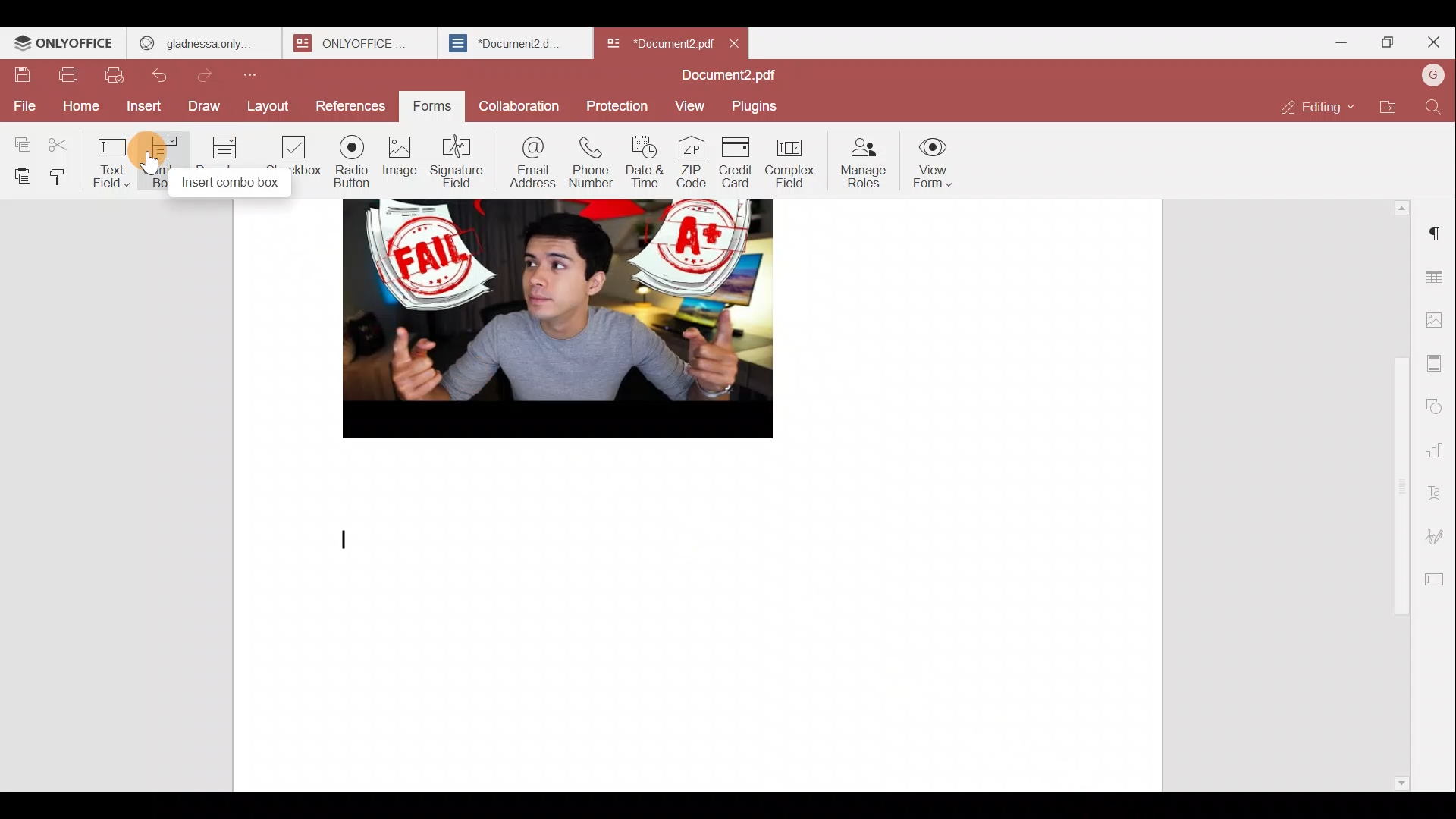  Describe the element at coordinates (1437, 532) in the screenshot. I see `Signature settings` at that location.